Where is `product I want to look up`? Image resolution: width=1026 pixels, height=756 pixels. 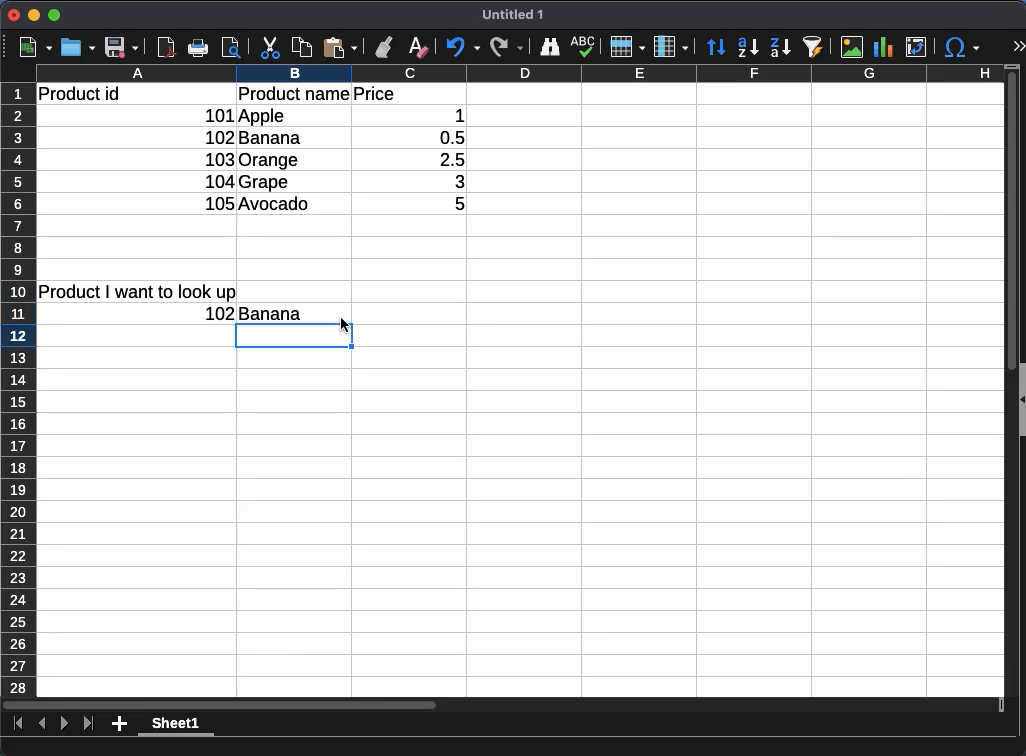
product I want to look up is located at coordinates (137, 292).